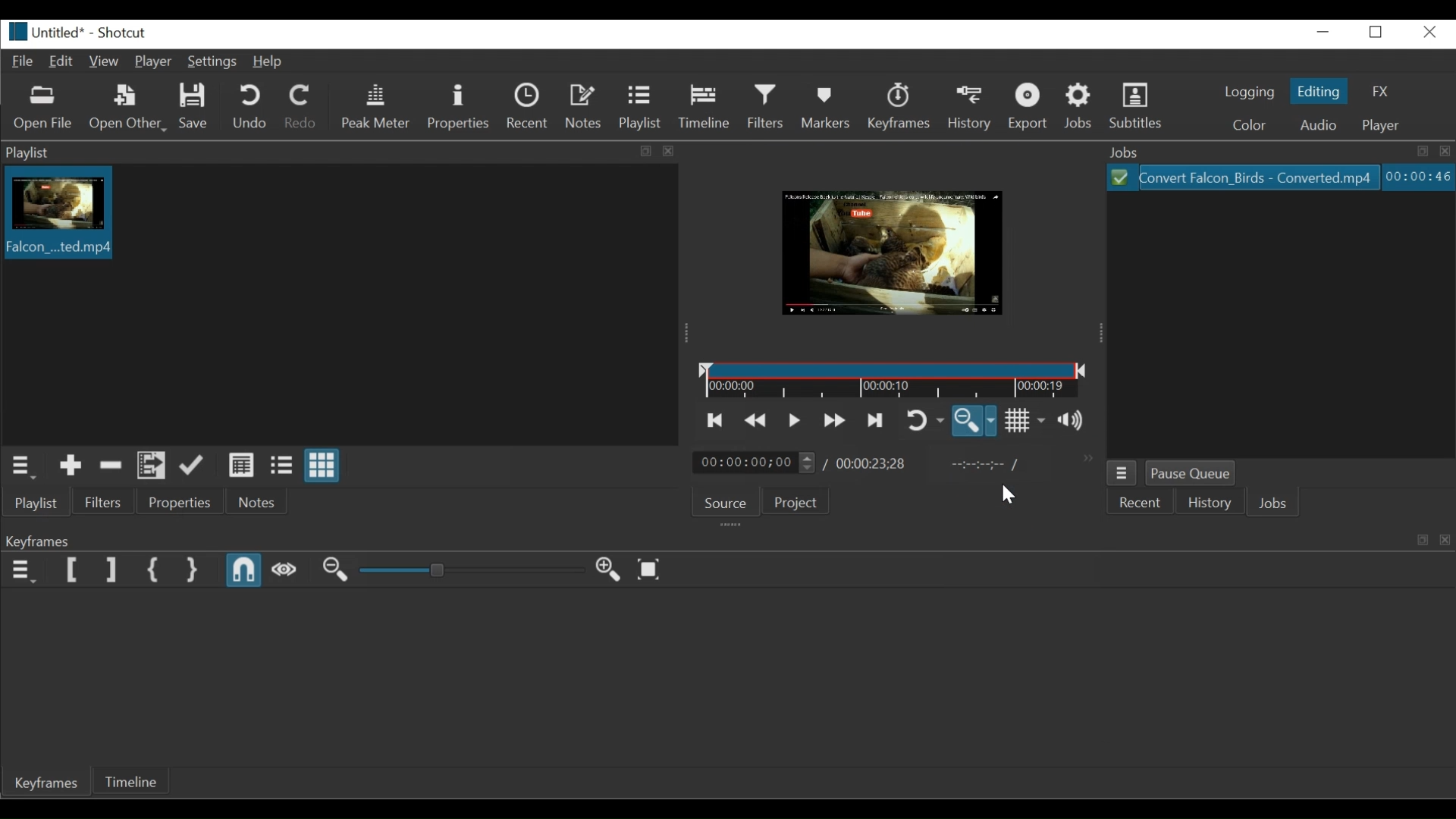 Image resolution: width=1456 pixels, height=819 pixels. What do you see at coordinates (529, 106) in the screenshot?
I see `Recent` at bounding box center [529, 106].